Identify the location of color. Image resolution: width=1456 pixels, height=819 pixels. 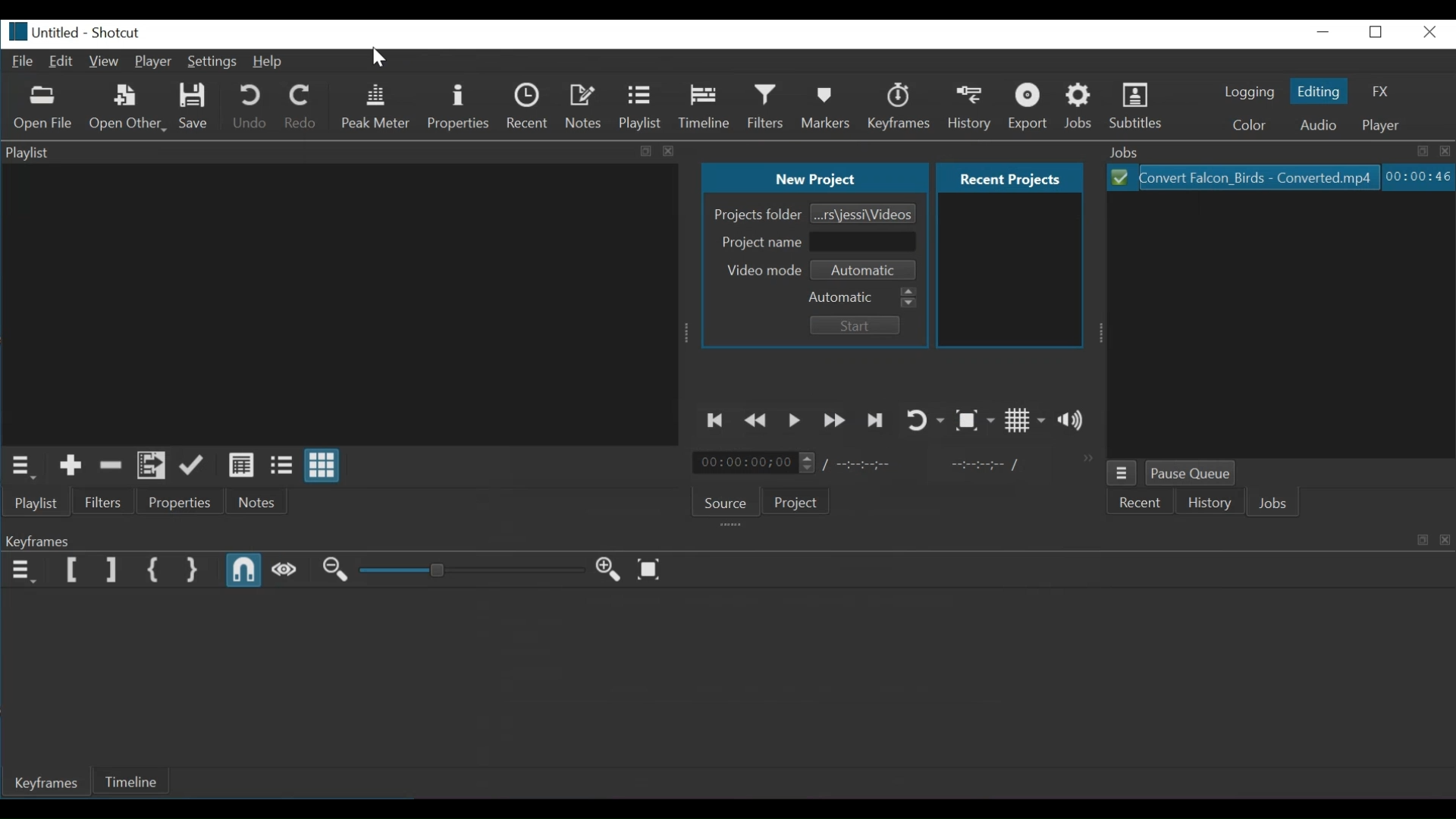
(1252, 126).